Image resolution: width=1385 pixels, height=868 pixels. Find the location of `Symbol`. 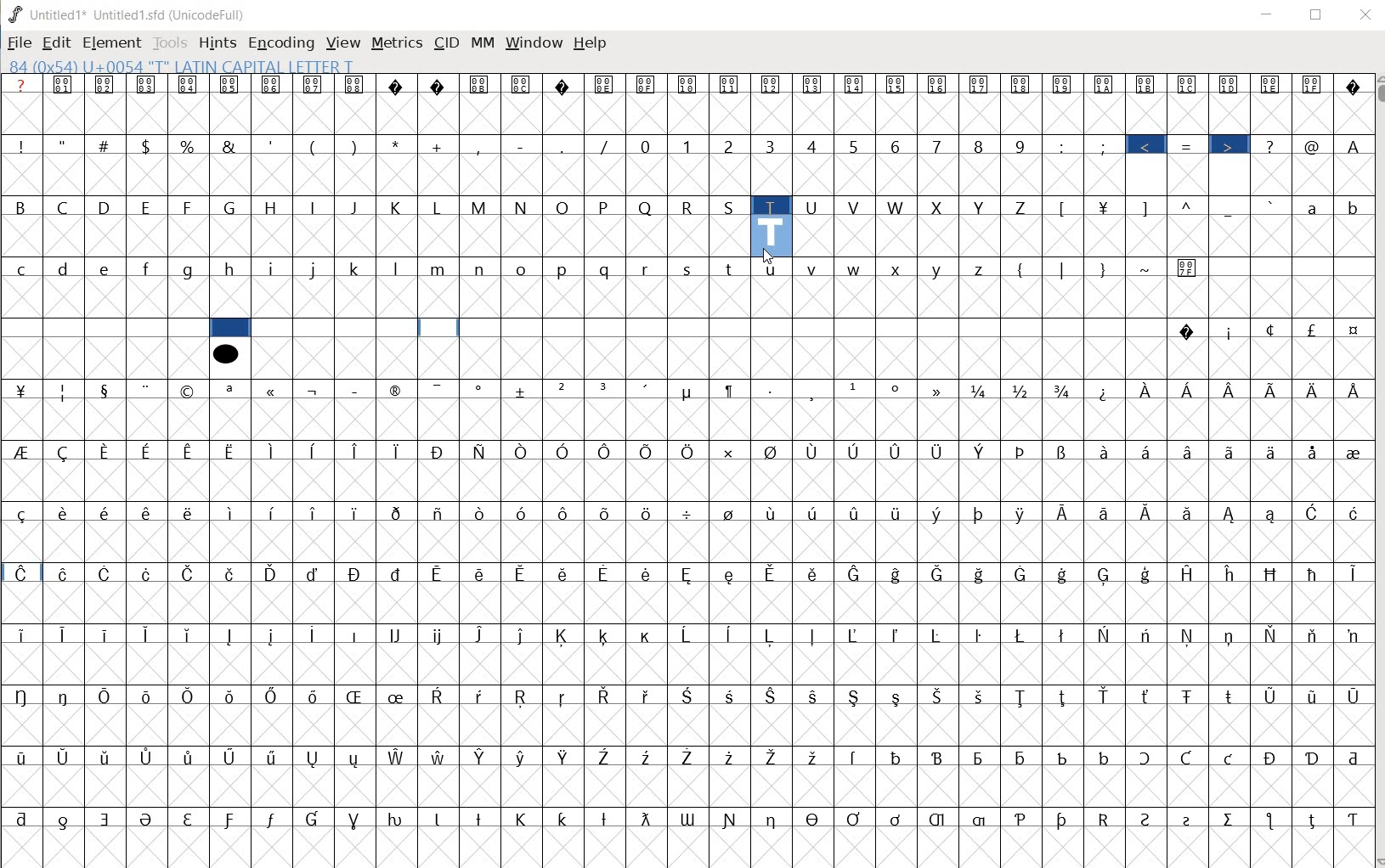

Symbol is located at coordinates (1274, 635).